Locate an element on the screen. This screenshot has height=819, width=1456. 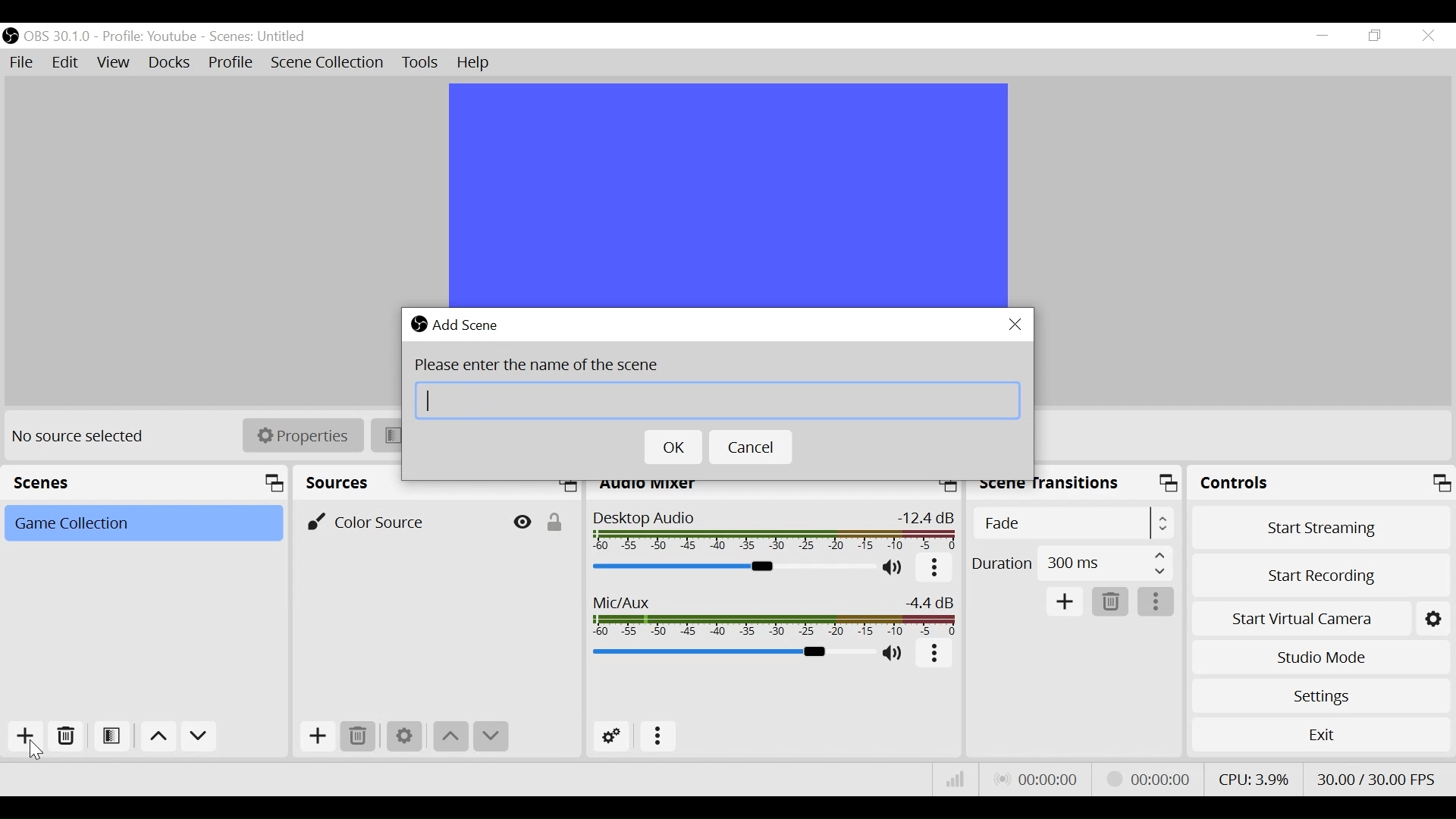
Scene Name Field is located at coordinates (716, 400).